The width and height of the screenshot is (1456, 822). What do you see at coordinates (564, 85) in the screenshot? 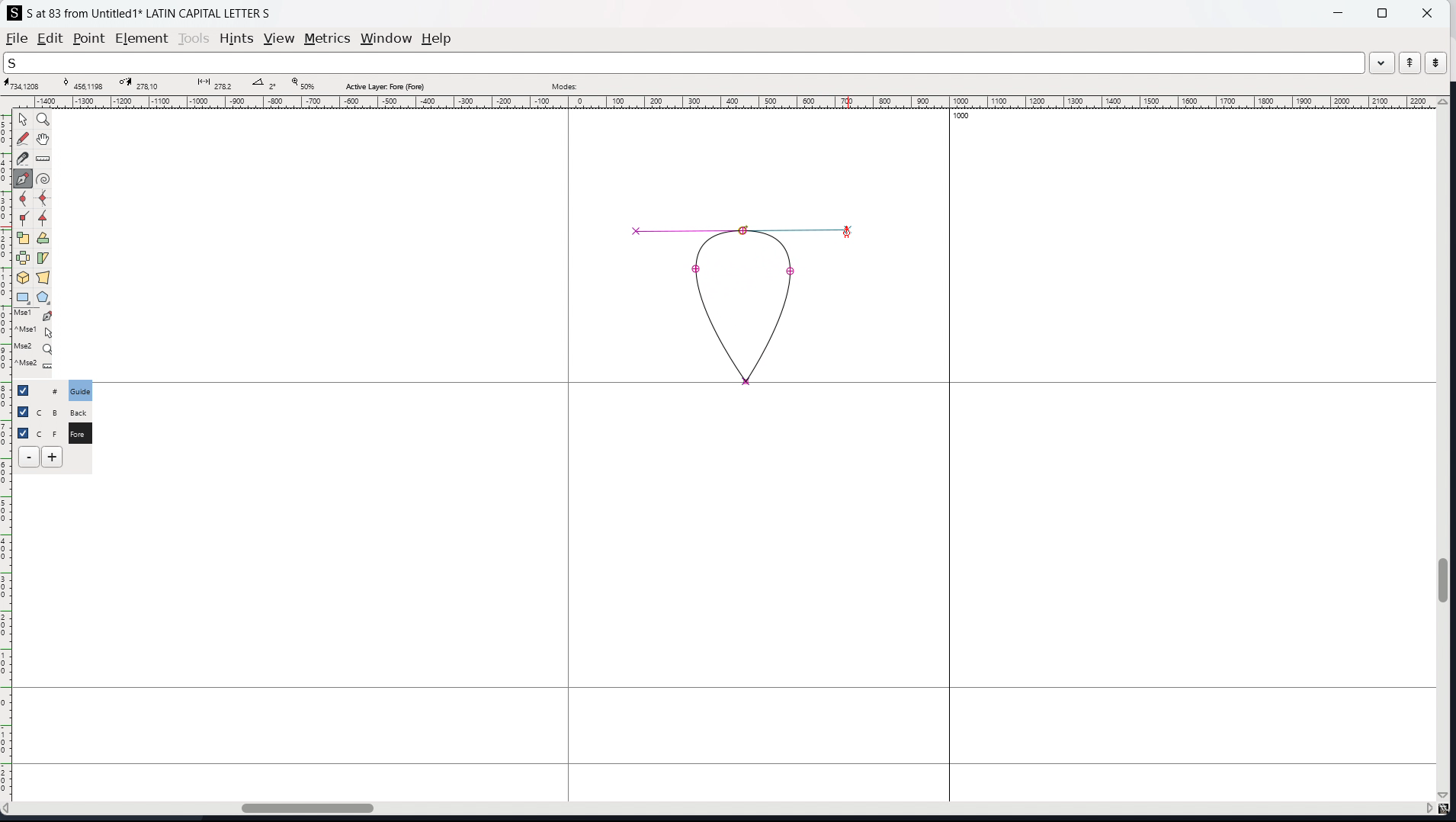
I see `modes` at bounding box center [564, 85].